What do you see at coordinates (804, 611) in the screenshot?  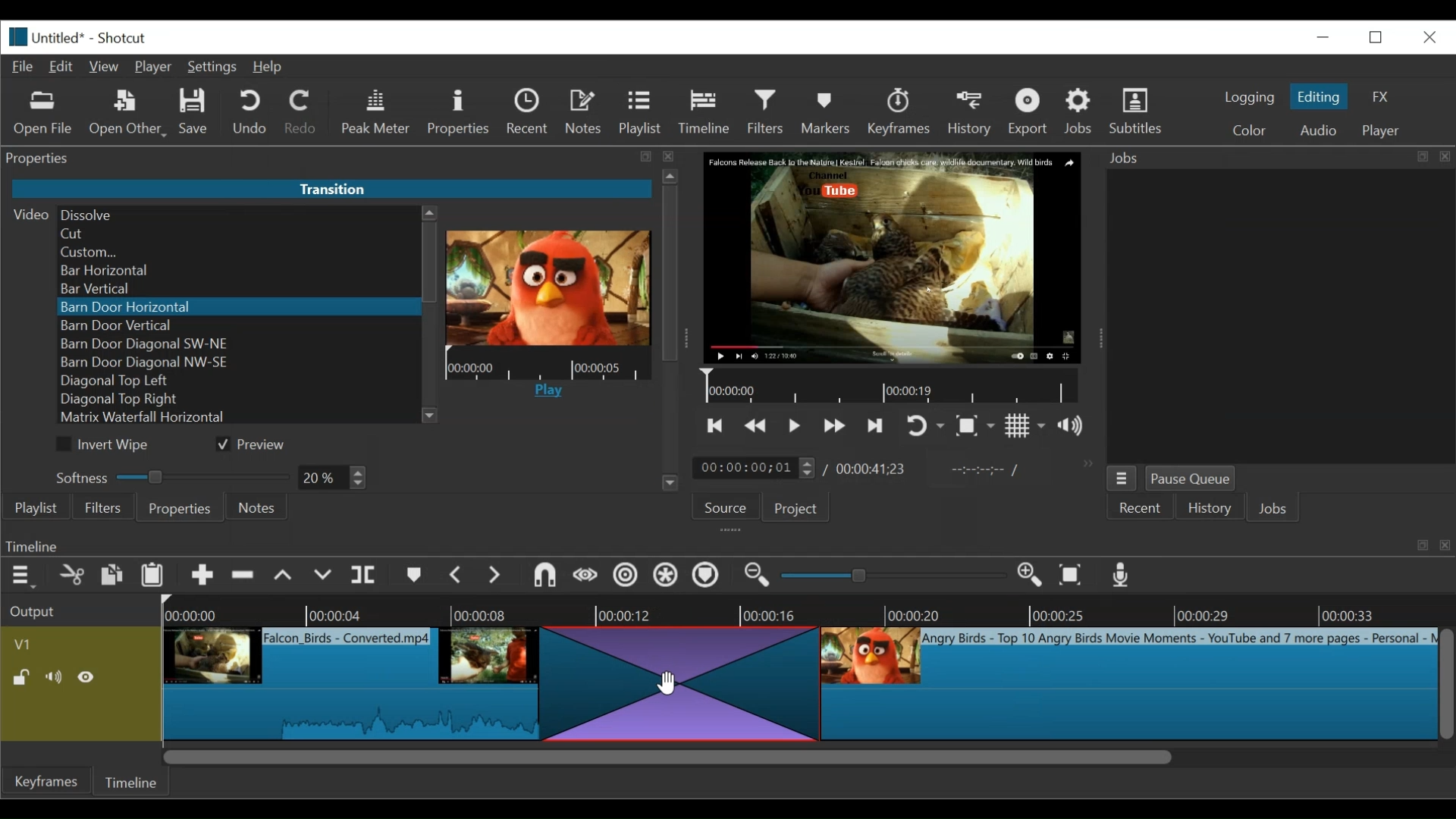 I see `Zoom Timeline` at bounding box center [804, 611].